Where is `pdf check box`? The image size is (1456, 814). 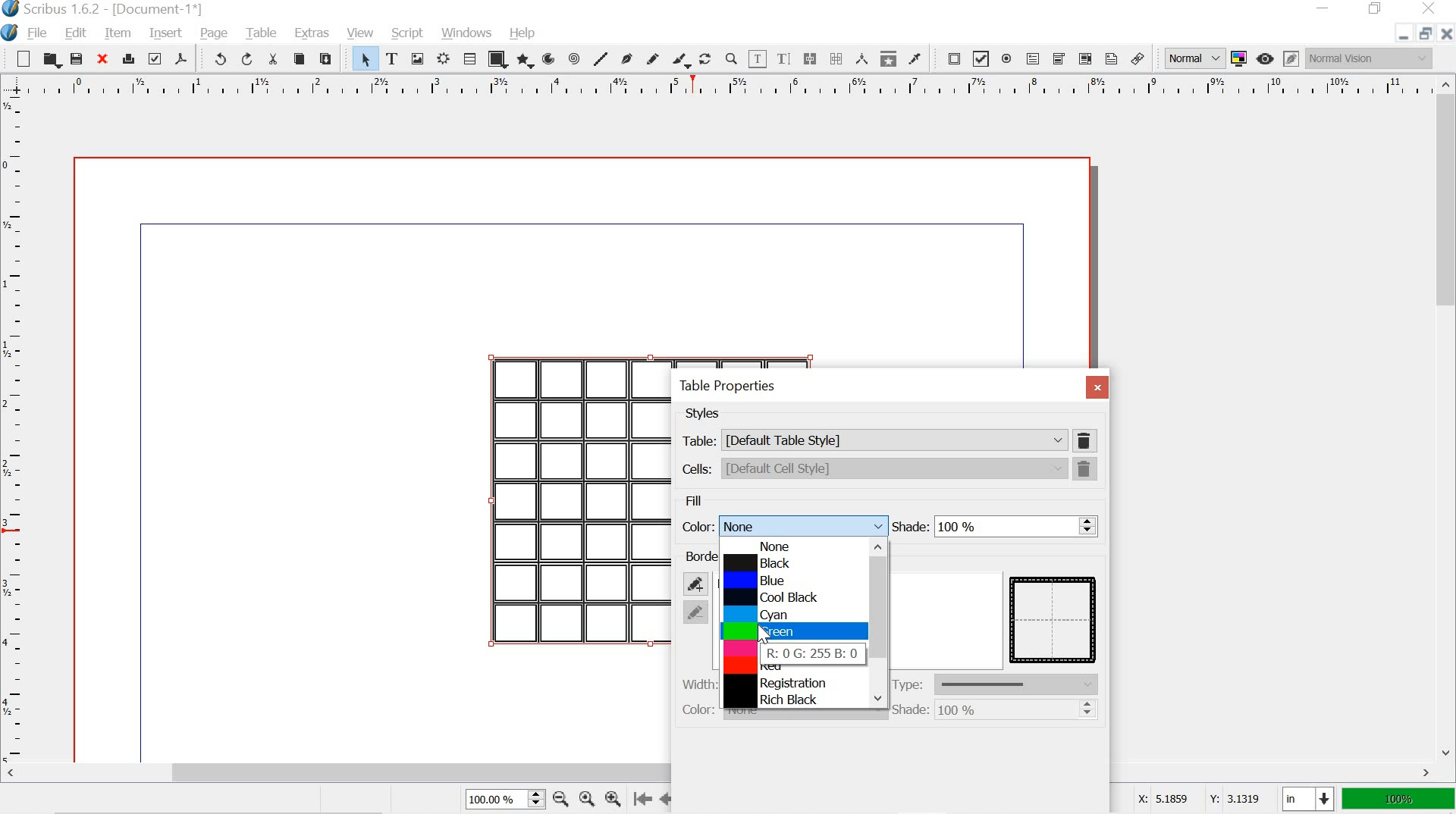
pdf check box is located at coordinates (982, 58).